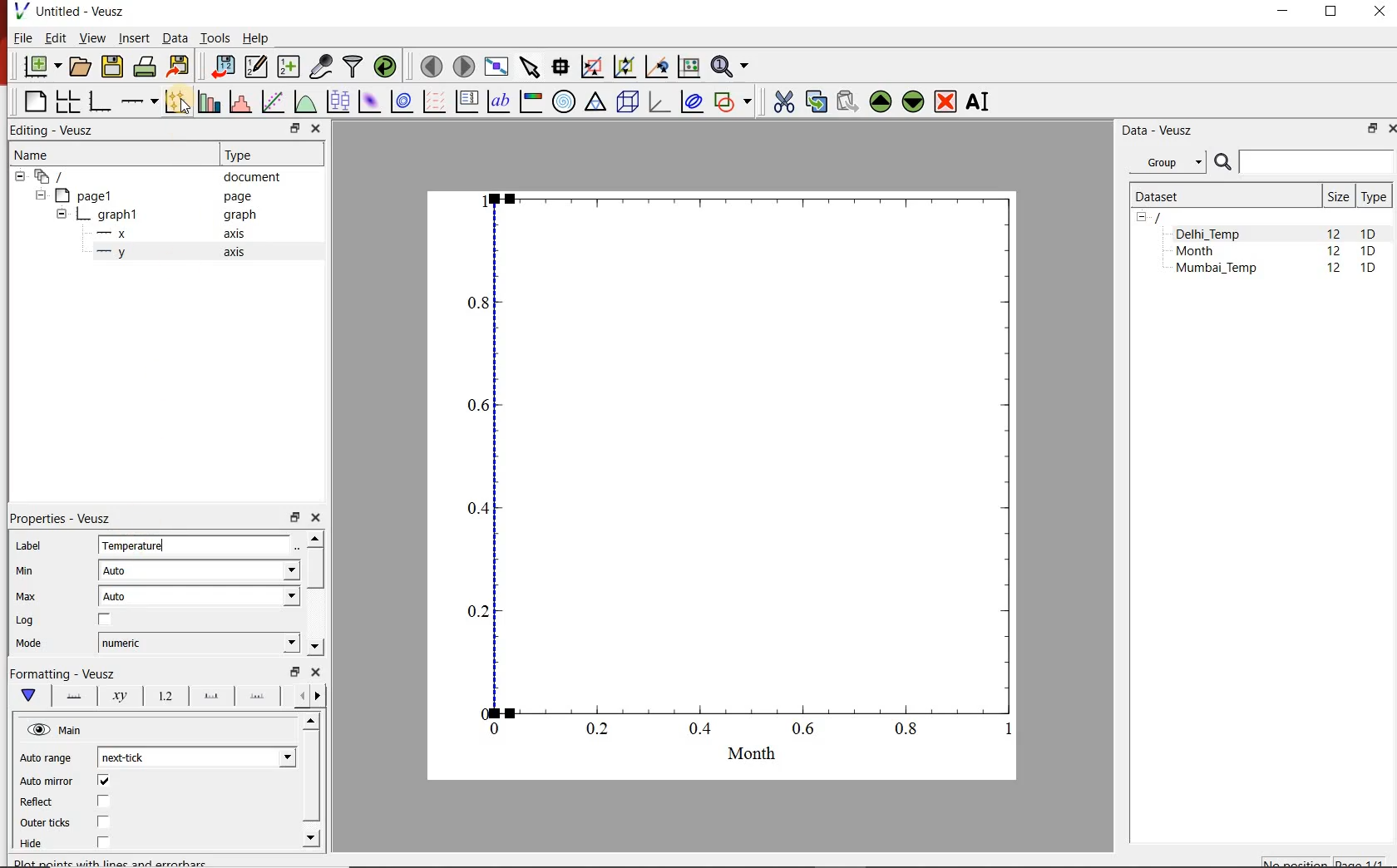 This screenshot has height=868, width=1397. Describe the element at coordinates (595, 103) in the screenshot. I see `Ternary graph` at that location.